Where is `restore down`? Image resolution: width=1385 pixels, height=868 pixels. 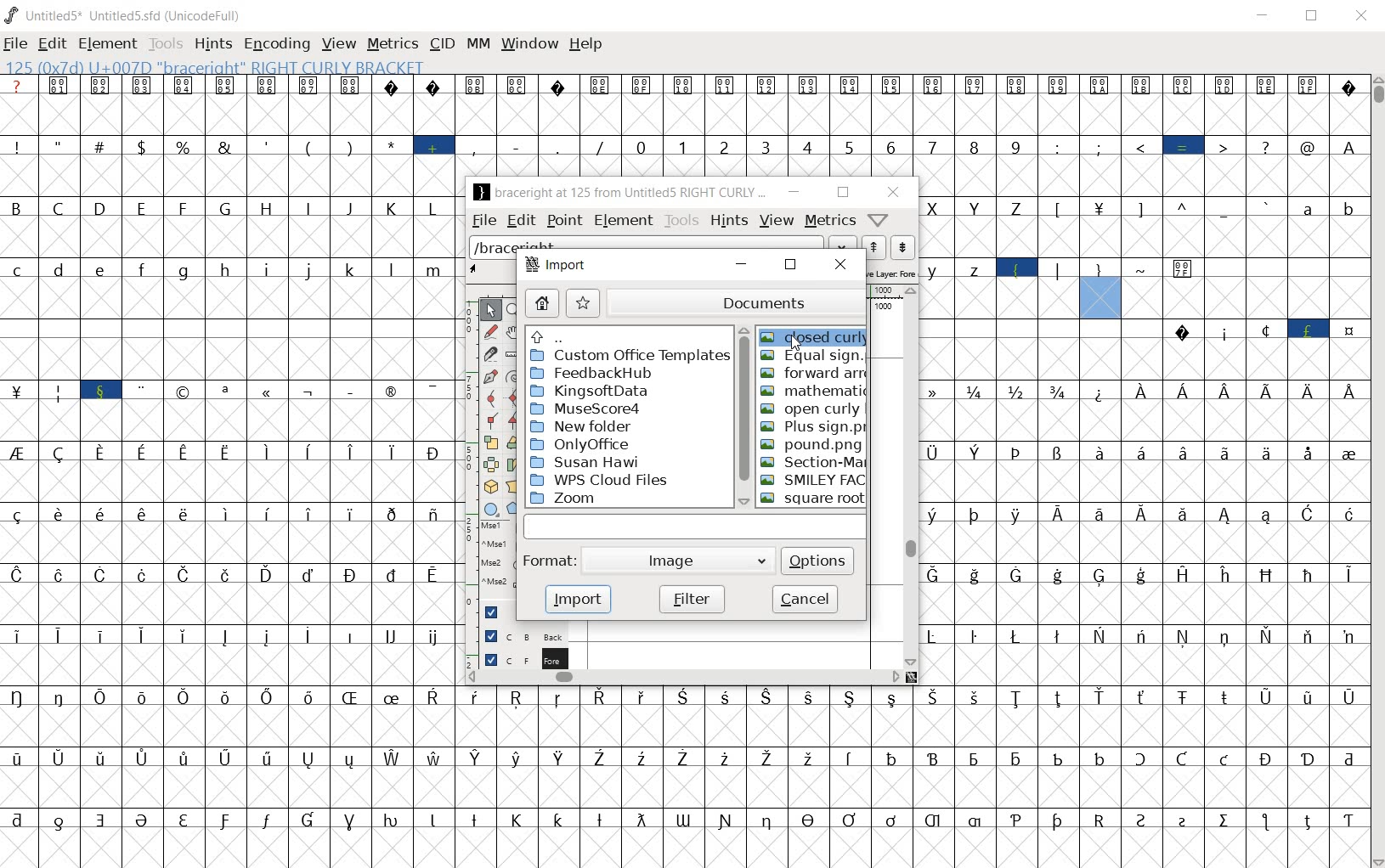
restore down is located at coordinates (793, 266).